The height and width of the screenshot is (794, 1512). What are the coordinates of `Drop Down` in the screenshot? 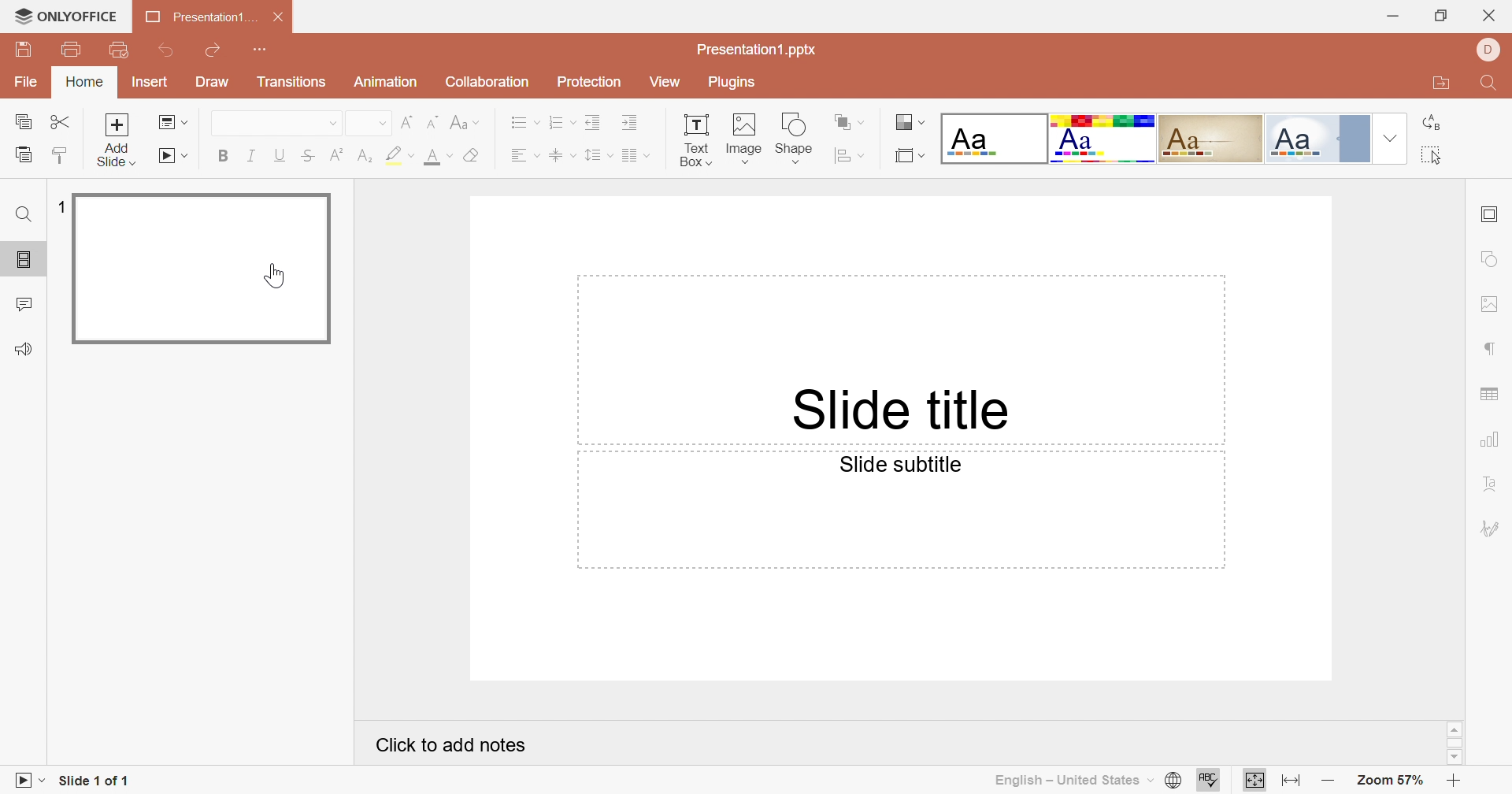 It's located at (927, 154).